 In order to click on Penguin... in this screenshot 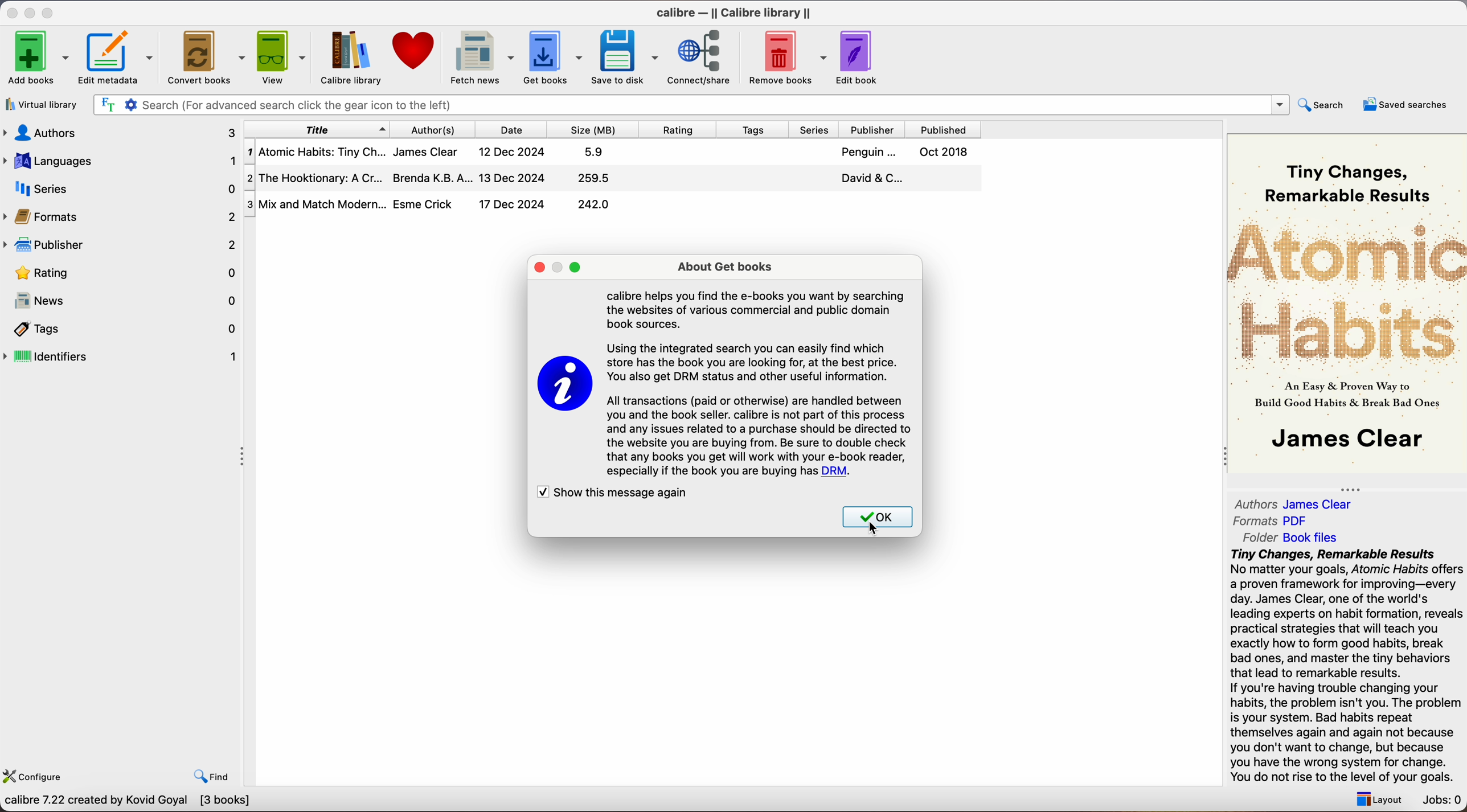, I will do `click(866, 152)`.